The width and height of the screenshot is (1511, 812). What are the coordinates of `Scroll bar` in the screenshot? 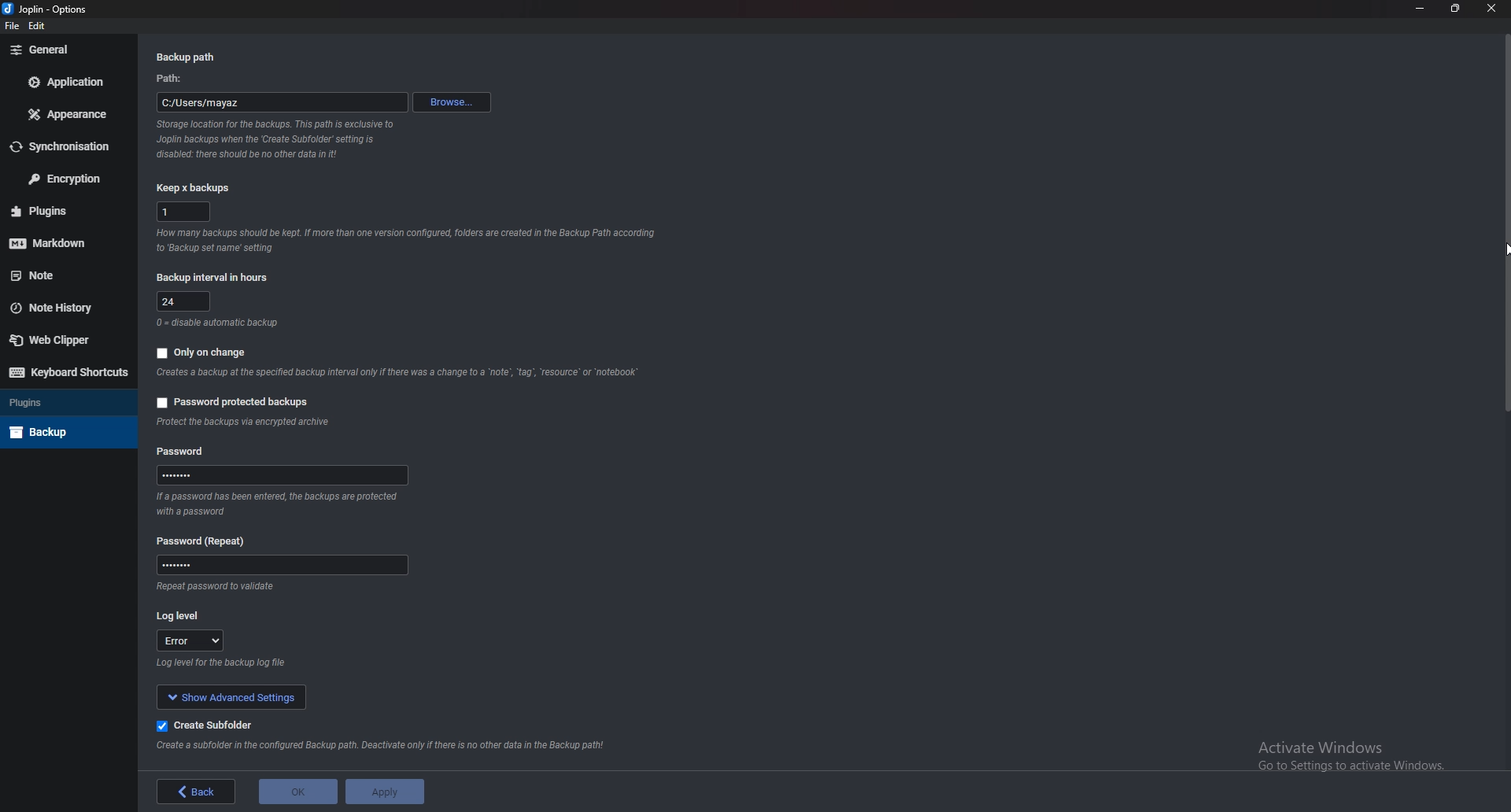 It's located at (1503, 222).